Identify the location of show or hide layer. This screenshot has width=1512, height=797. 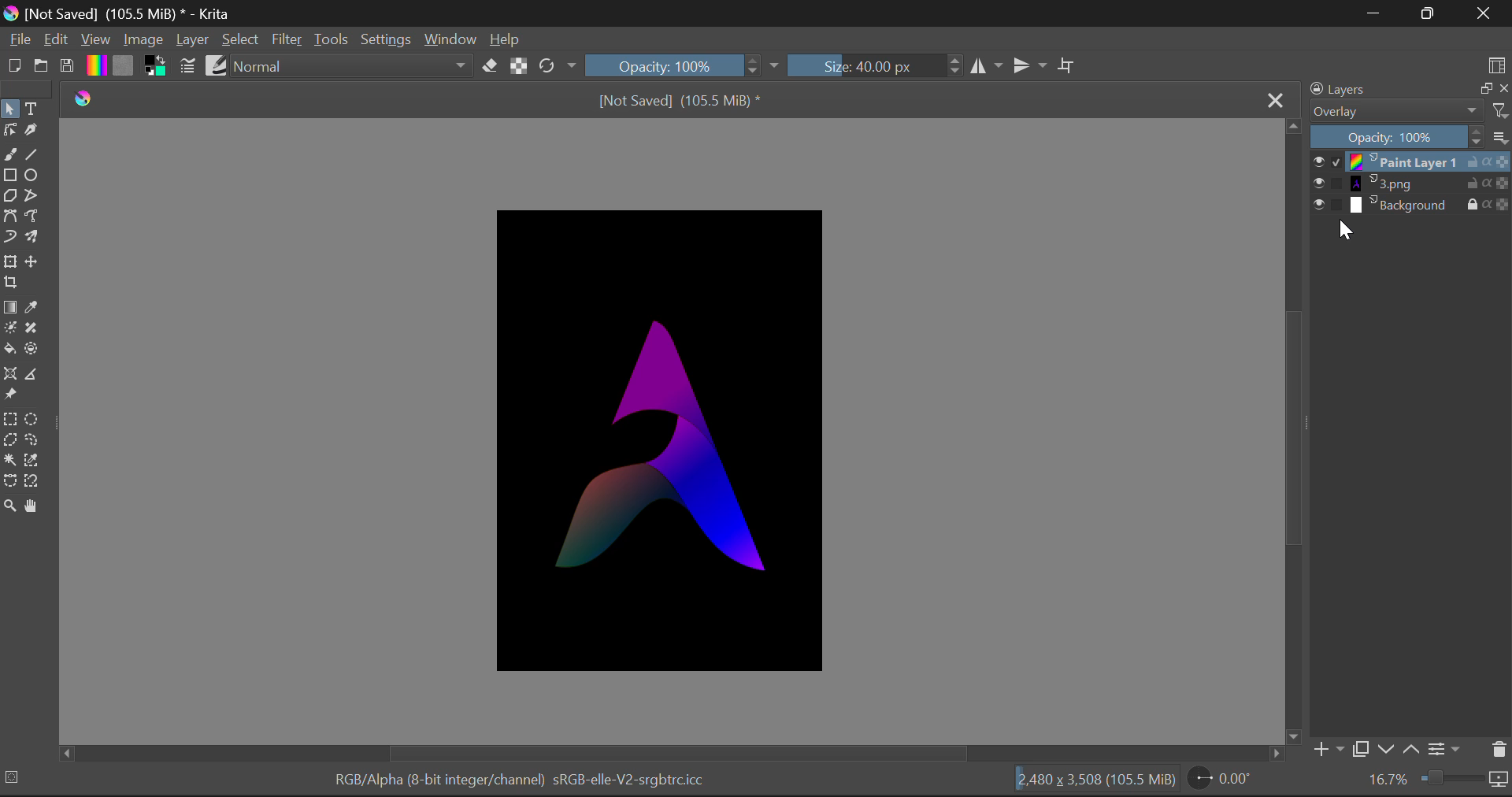
(1327, 184).